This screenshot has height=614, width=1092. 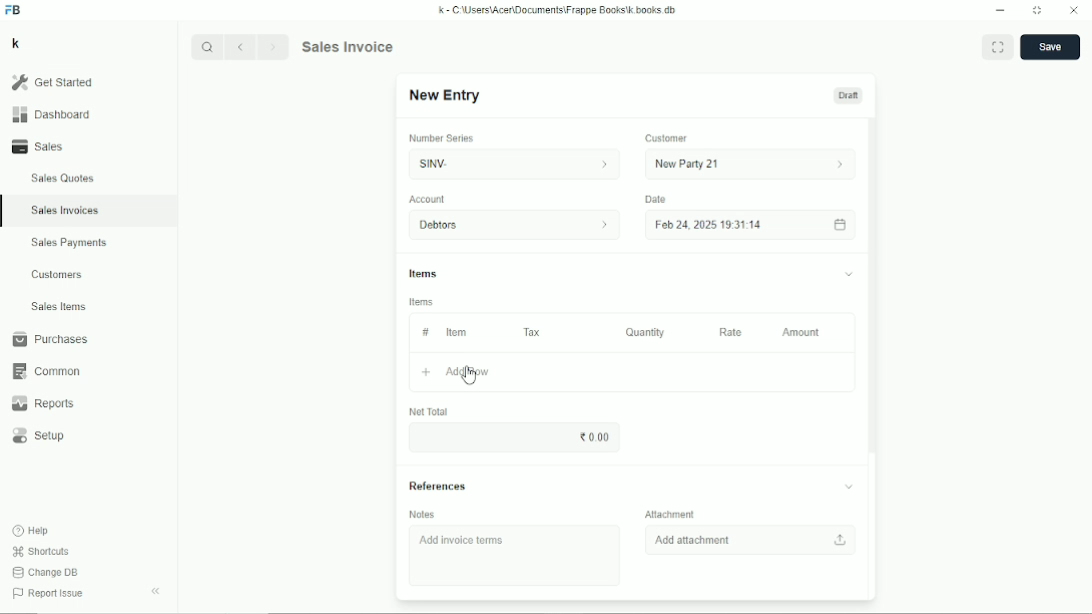 I want to click on Attachment, so click(x=673, y=513).